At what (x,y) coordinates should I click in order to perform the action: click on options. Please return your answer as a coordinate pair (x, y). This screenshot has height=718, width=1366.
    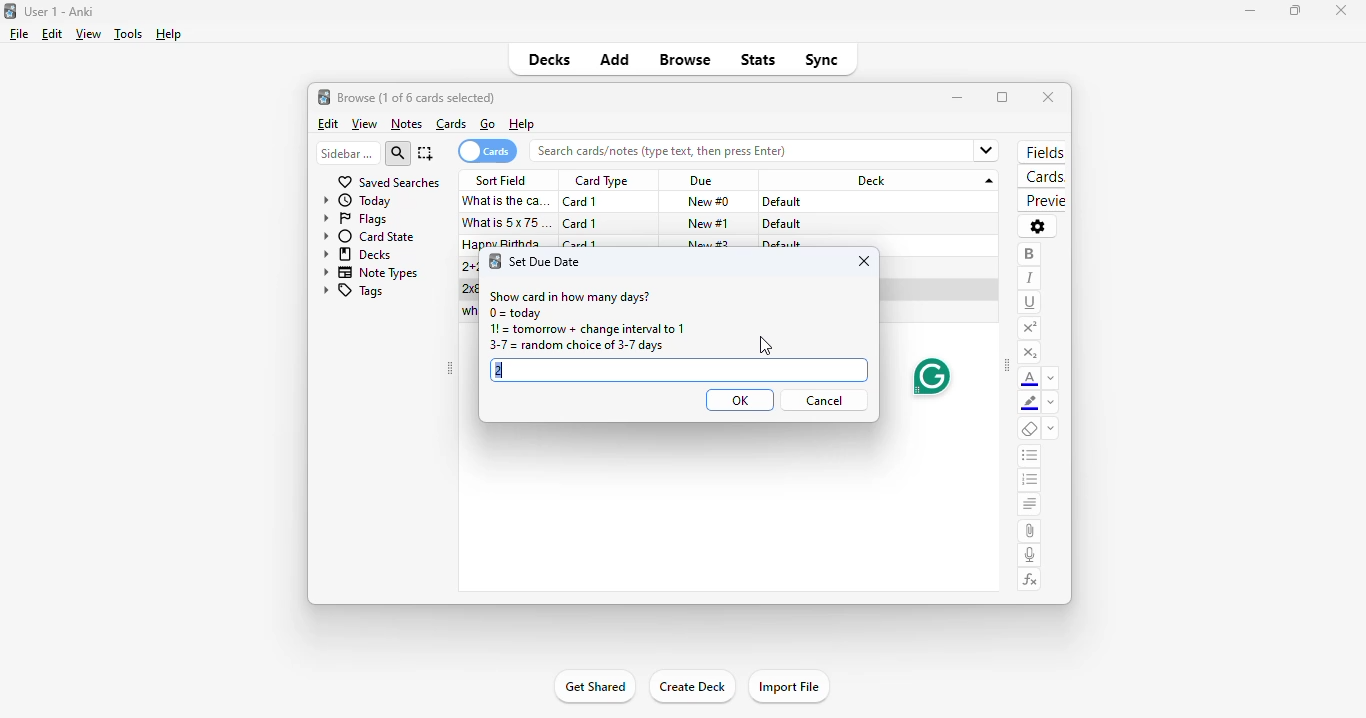
    Looking at the image, I should click on (1037, 226).